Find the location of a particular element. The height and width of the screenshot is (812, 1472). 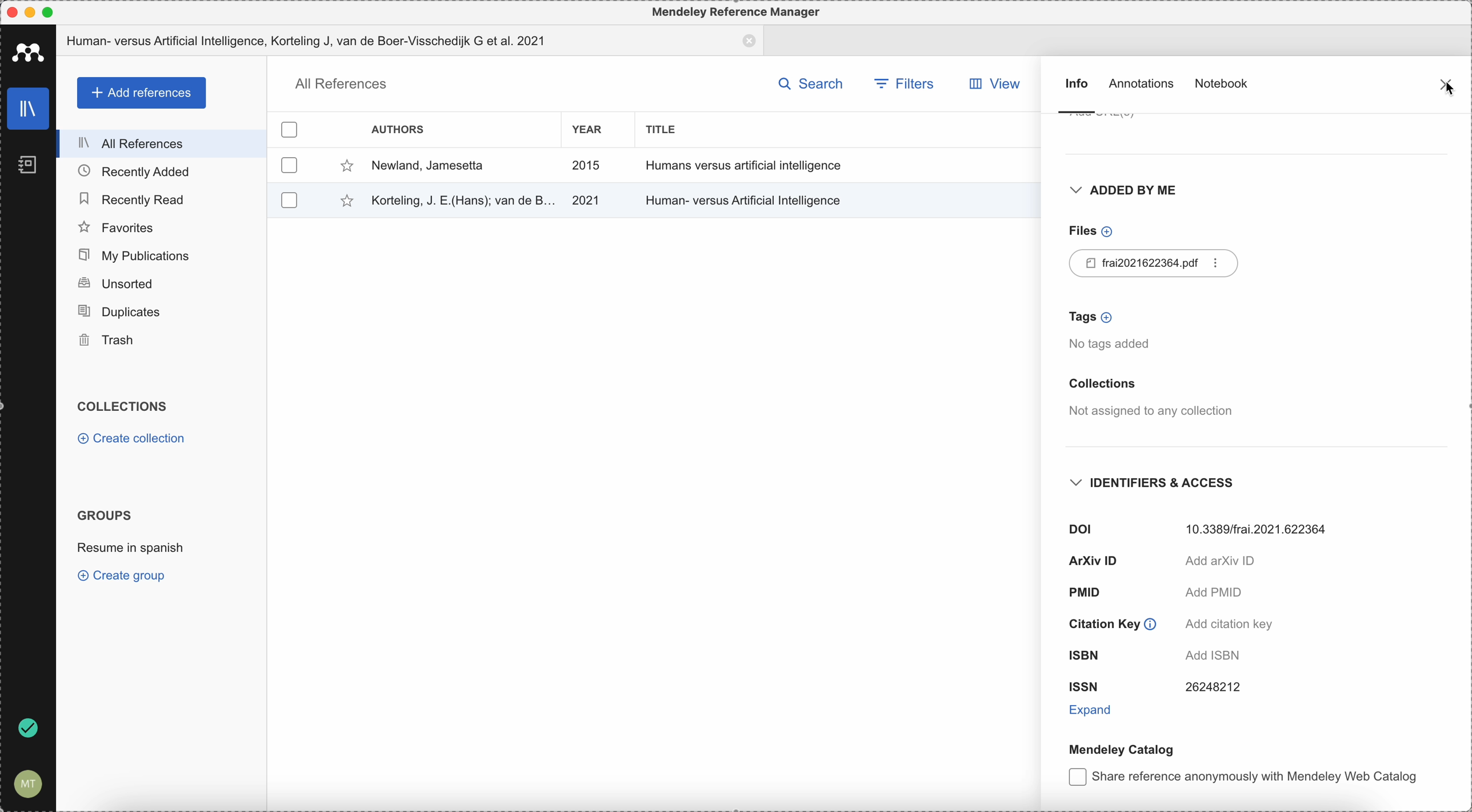

all references is located at coordinates (339, 84).